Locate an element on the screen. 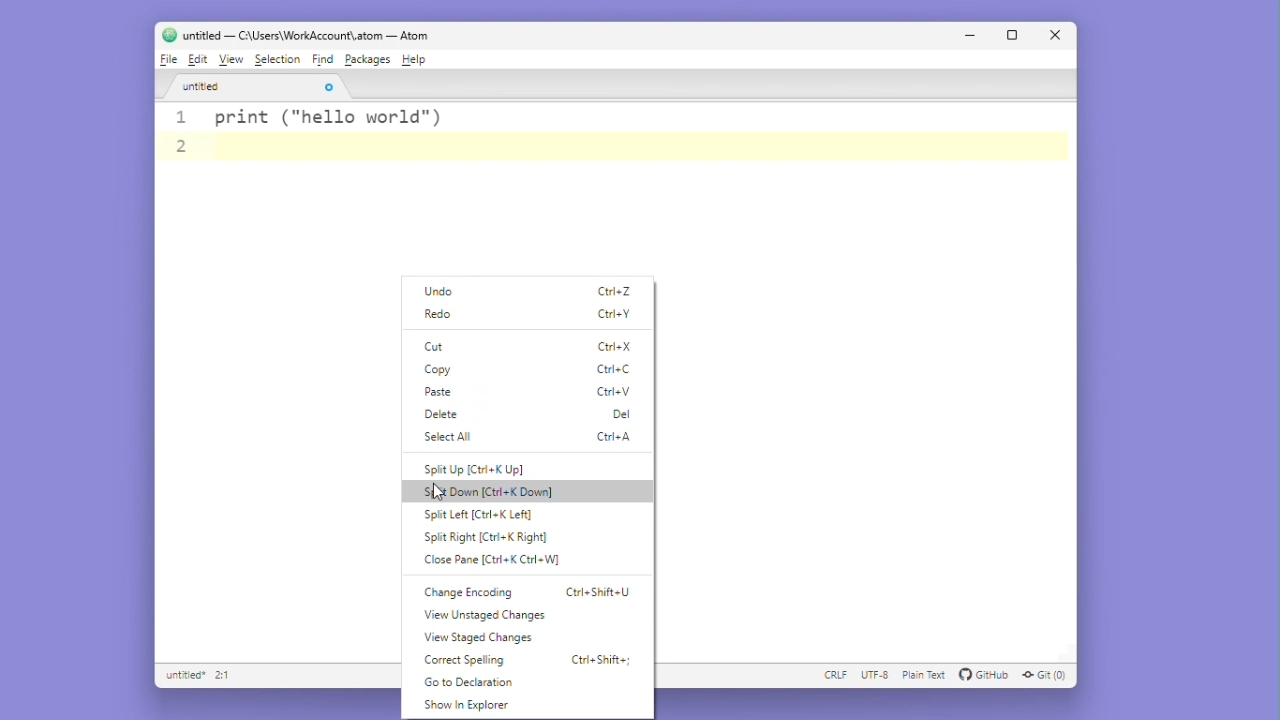 The height and width of the screenshot is (720, 1280). ctrl+z is located at coordinates (617, 291).